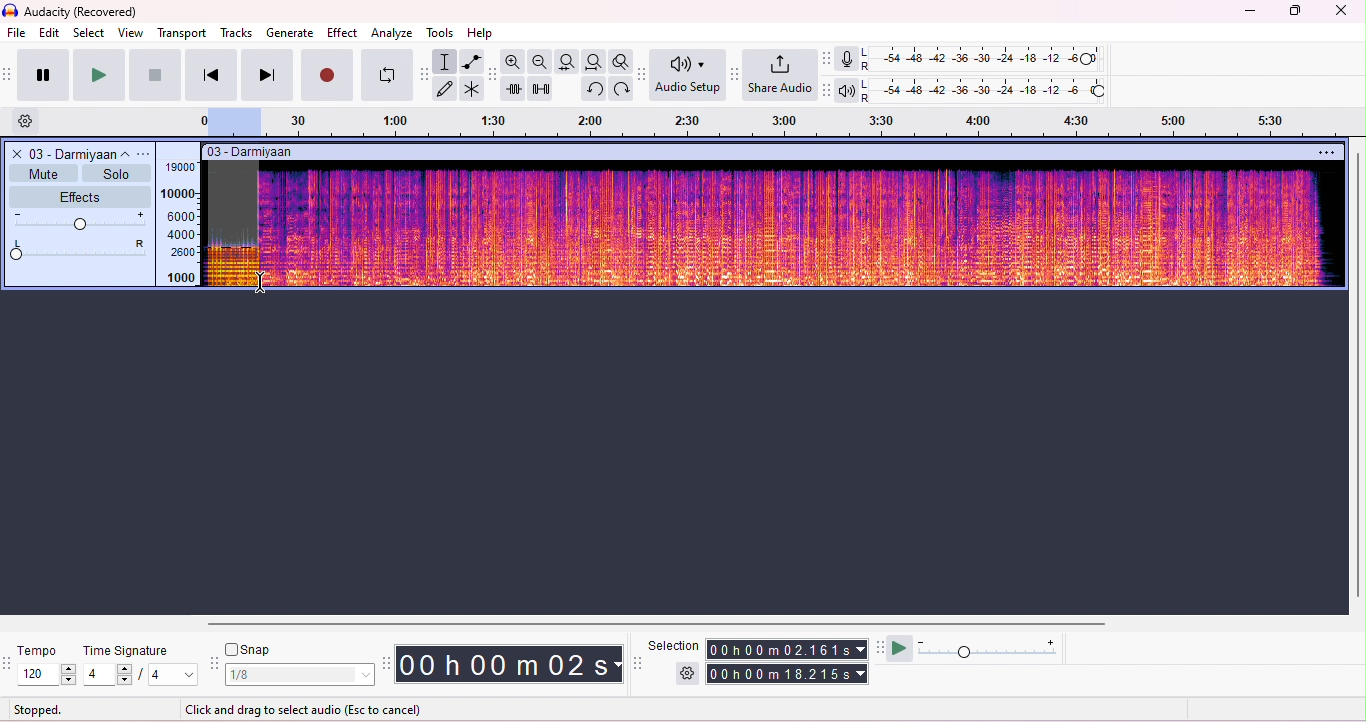  What do you see at coordinates (515, 88) in the screenshot?
I see `trim outside selection` at bounding box center [515, 88].